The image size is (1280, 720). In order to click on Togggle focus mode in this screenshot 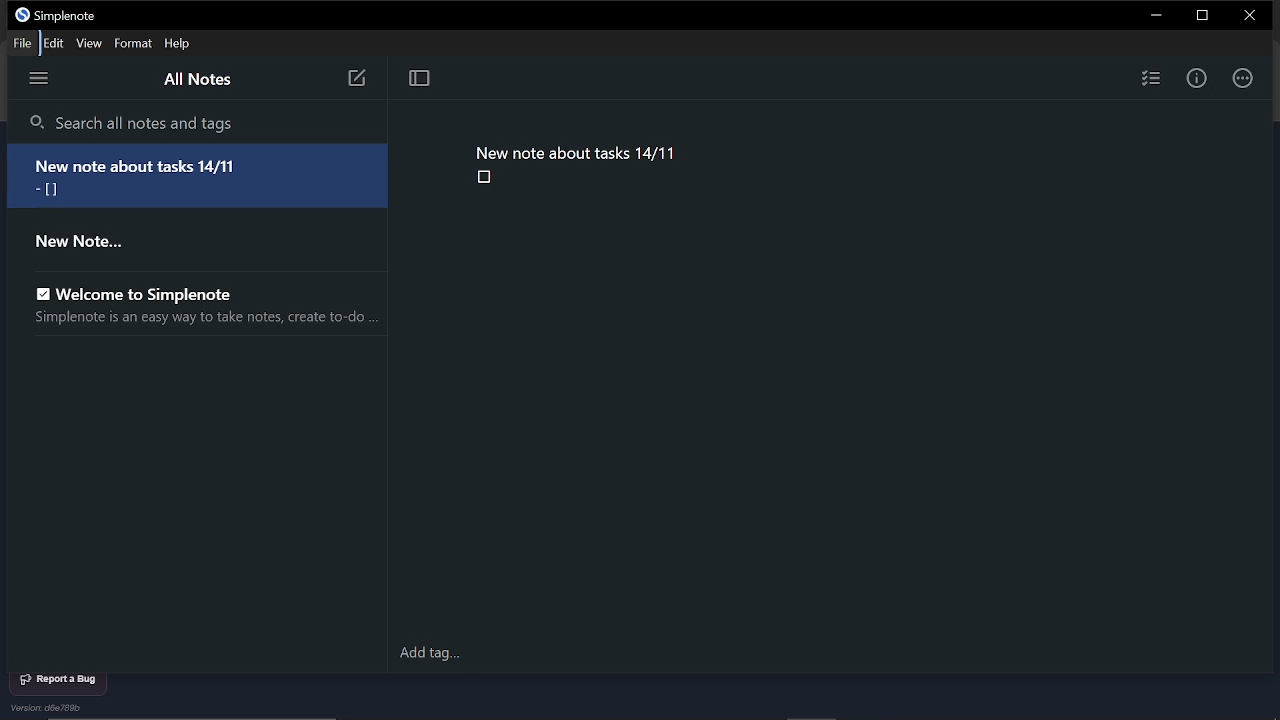, I will do `click(421, 79)`.